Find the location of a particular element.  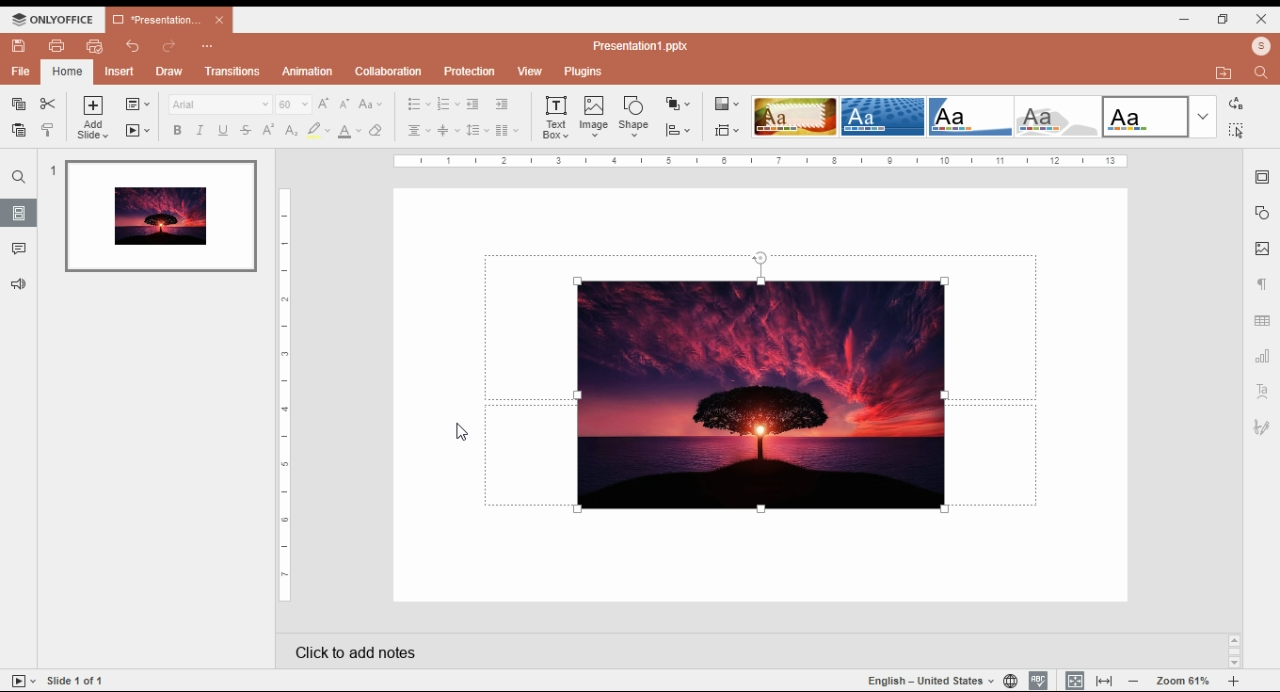

theme 2 is located at coordinates (881, 117).